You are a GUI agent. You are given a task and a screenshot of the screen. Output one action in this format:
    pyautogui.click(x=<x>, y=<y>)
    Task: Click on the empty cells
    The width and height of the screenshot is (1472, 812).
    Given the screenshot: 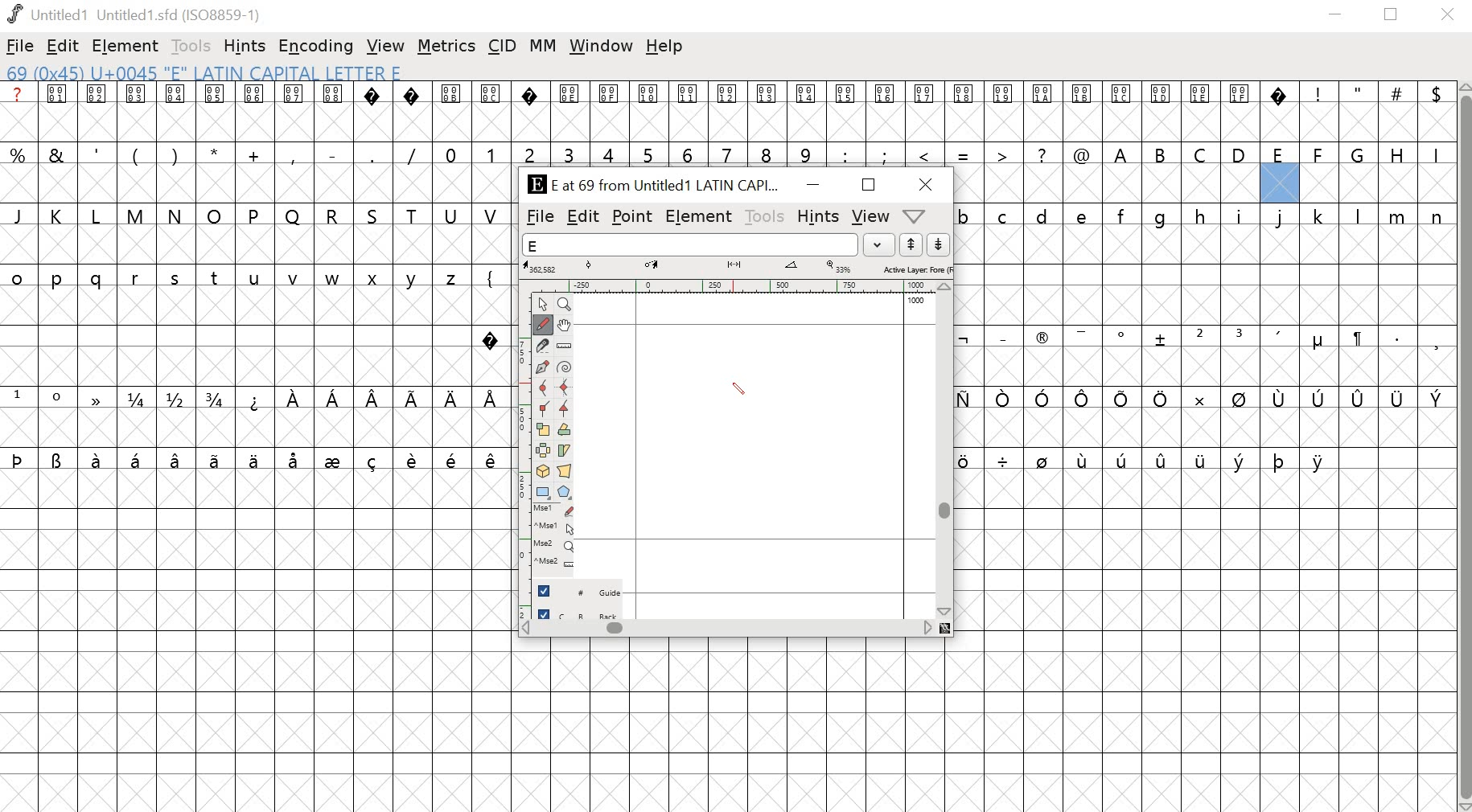 What is the action you would take?
    pyautogui.click(x=254, y=428)
    